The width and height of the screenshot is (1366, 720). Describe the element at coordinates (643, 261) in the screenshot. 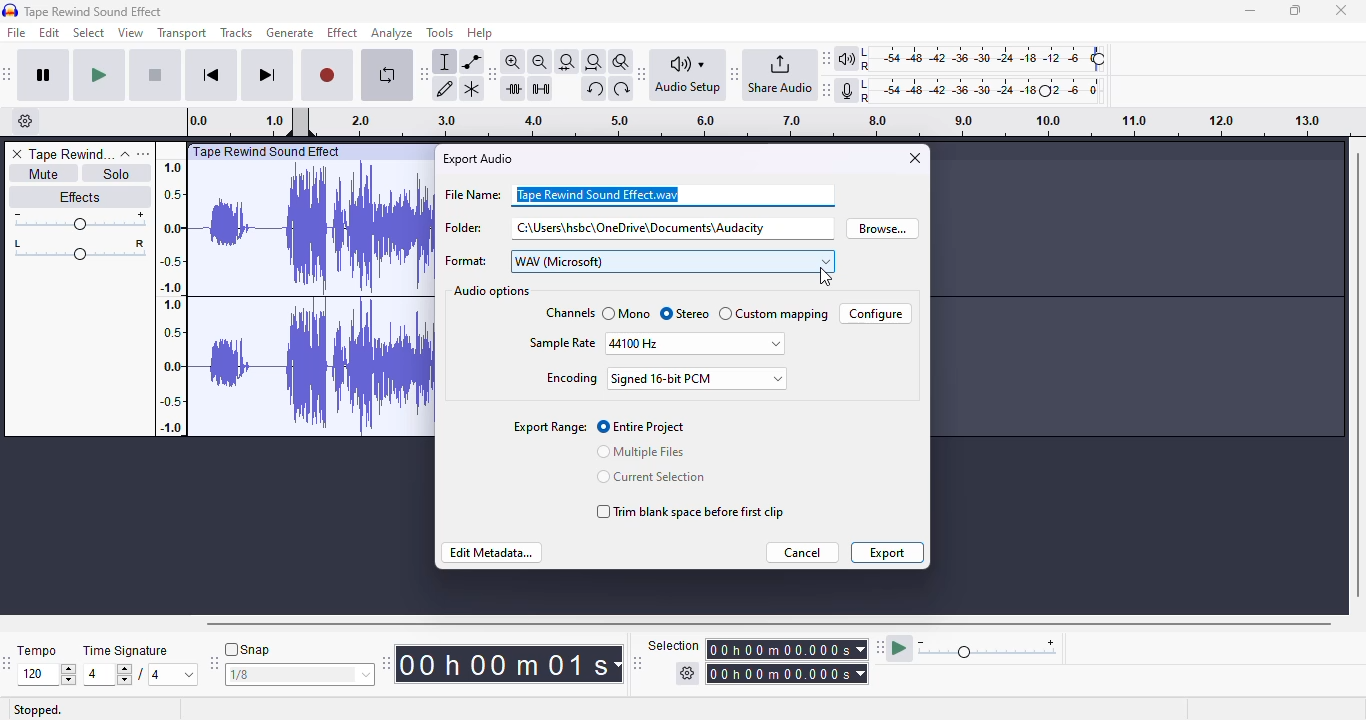

I see `format` at that location.